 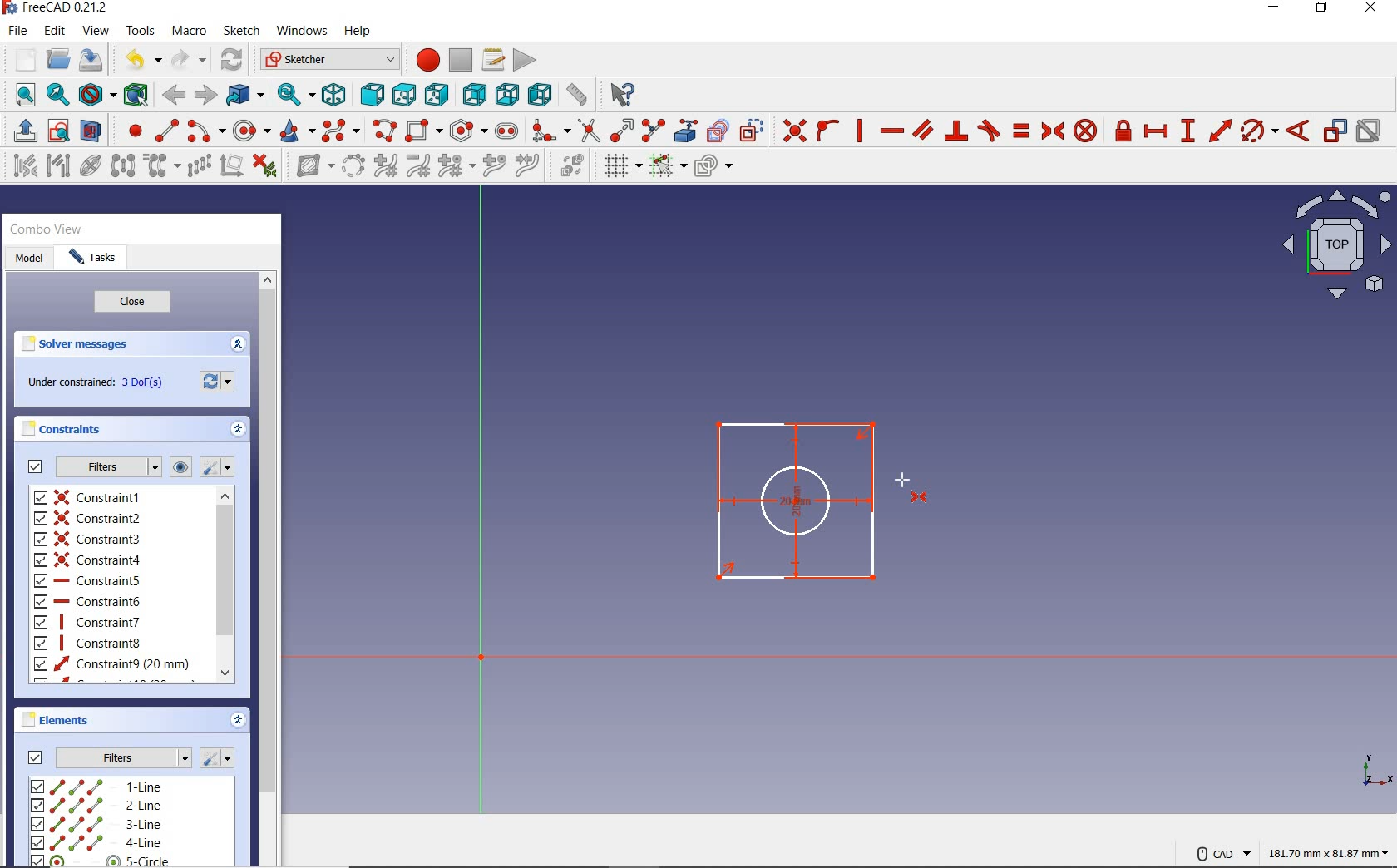 I want to click on create line, so click(x=166, y=130).